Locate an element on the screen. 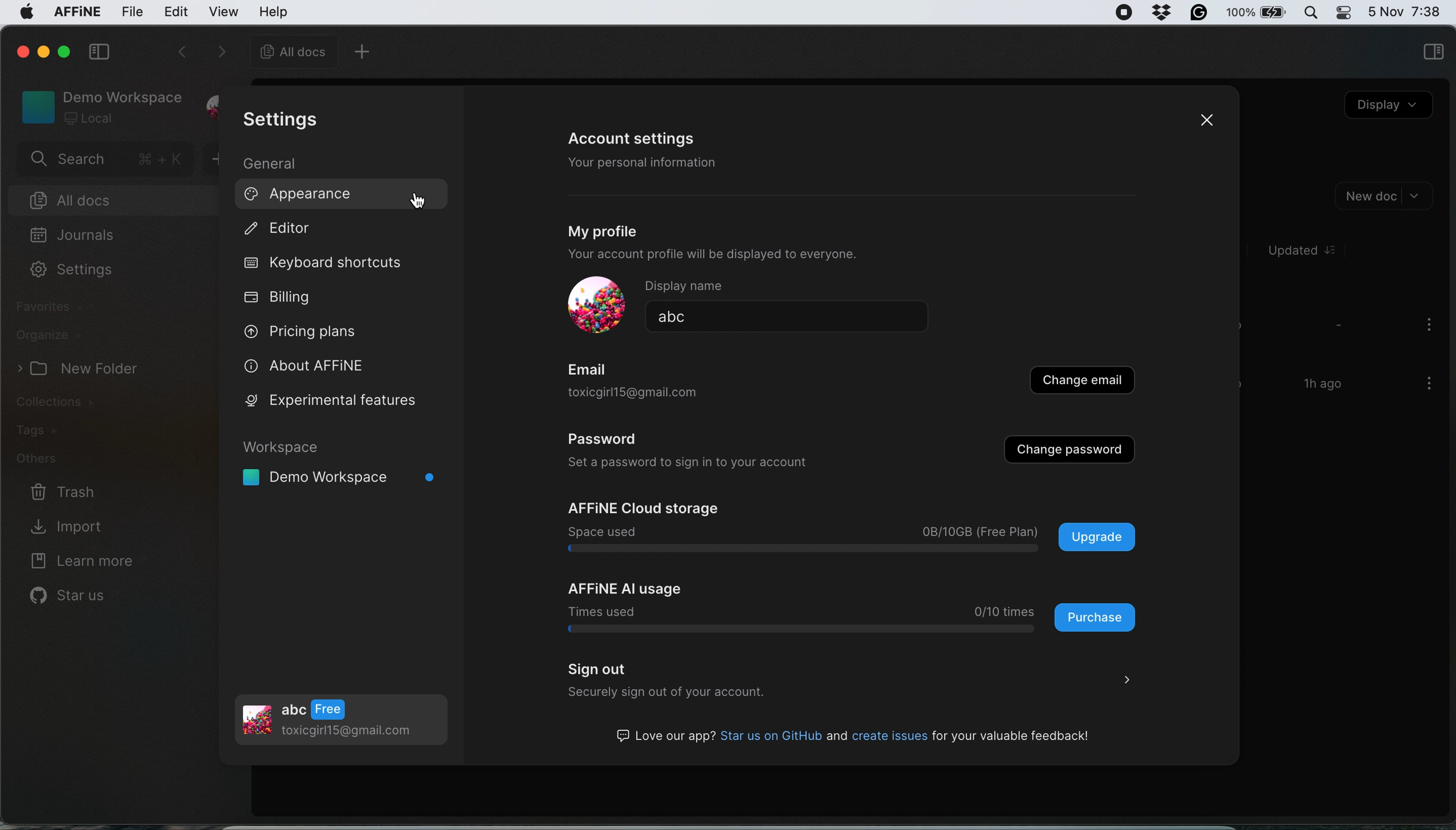 This screenshot has height=830, width=1456. screen recorder is located at coordinates (1124, 13).